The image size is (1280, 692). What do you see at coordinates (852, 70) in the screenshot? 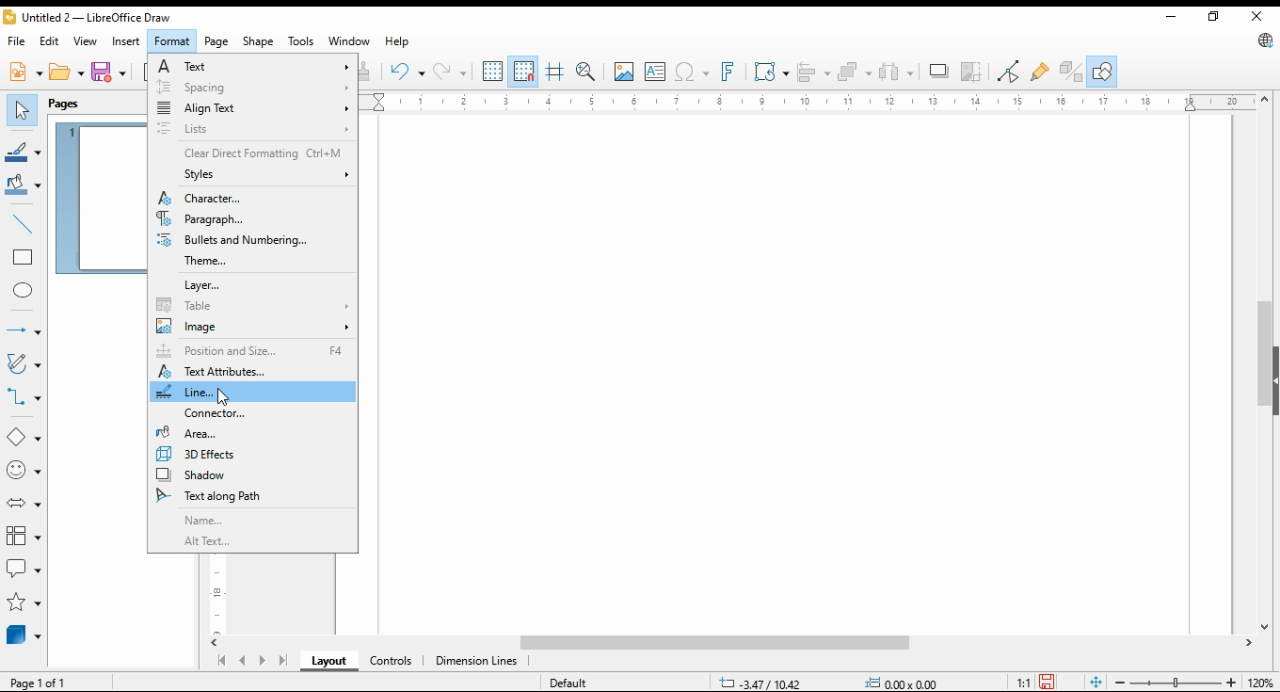
I see `arrange` at bounding box center [852, 70].